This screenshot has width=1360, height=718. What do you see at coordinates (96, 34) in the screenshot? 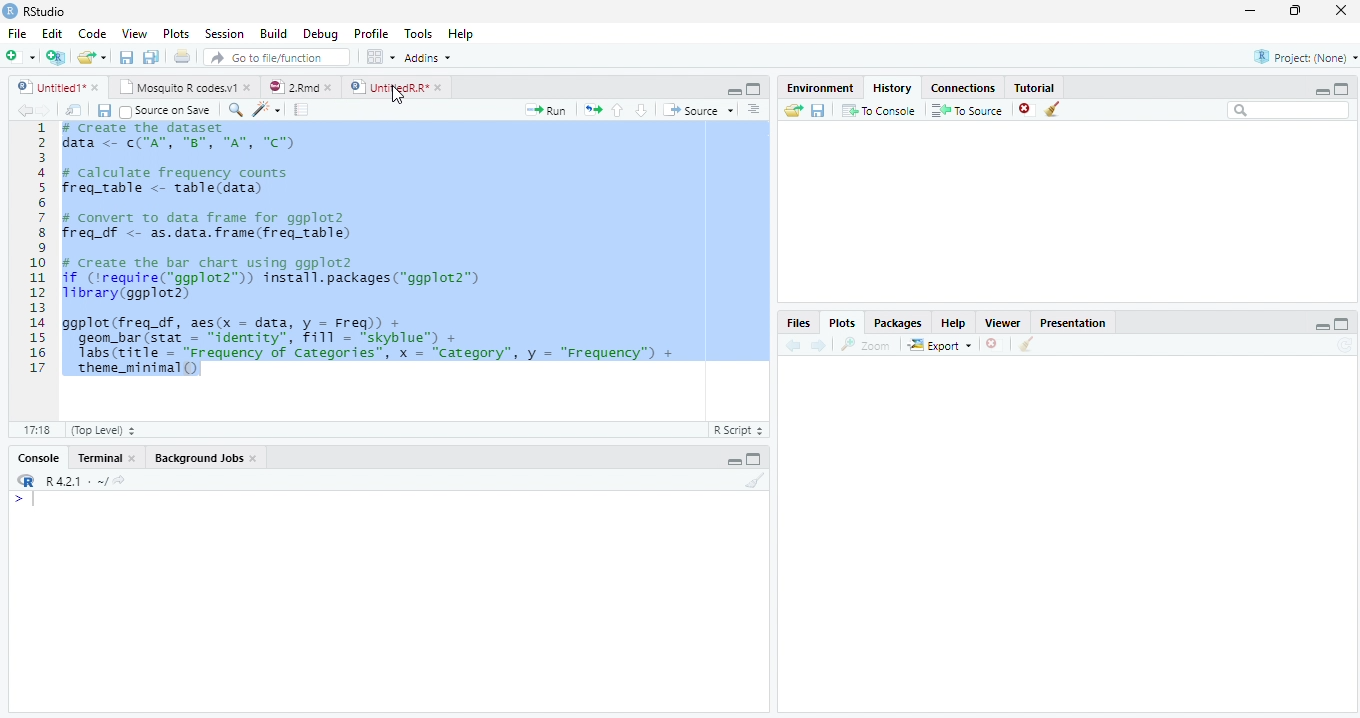
I see `Code` at bounding box center [96, 34].